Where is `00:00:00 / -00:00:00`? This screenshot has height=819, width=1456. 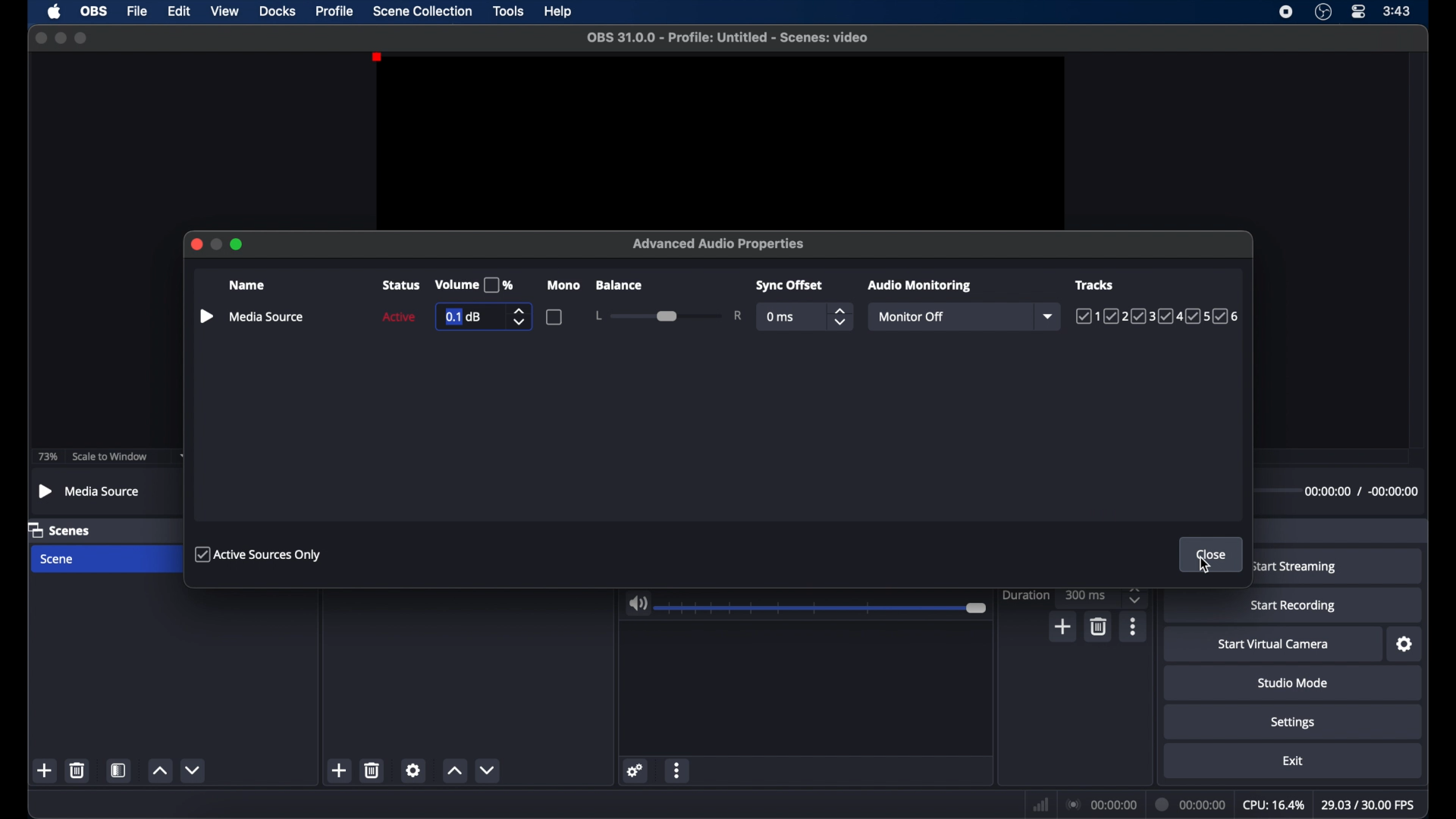
00:00:00 / -00:00:00 is located at coordinates (1362, 494).